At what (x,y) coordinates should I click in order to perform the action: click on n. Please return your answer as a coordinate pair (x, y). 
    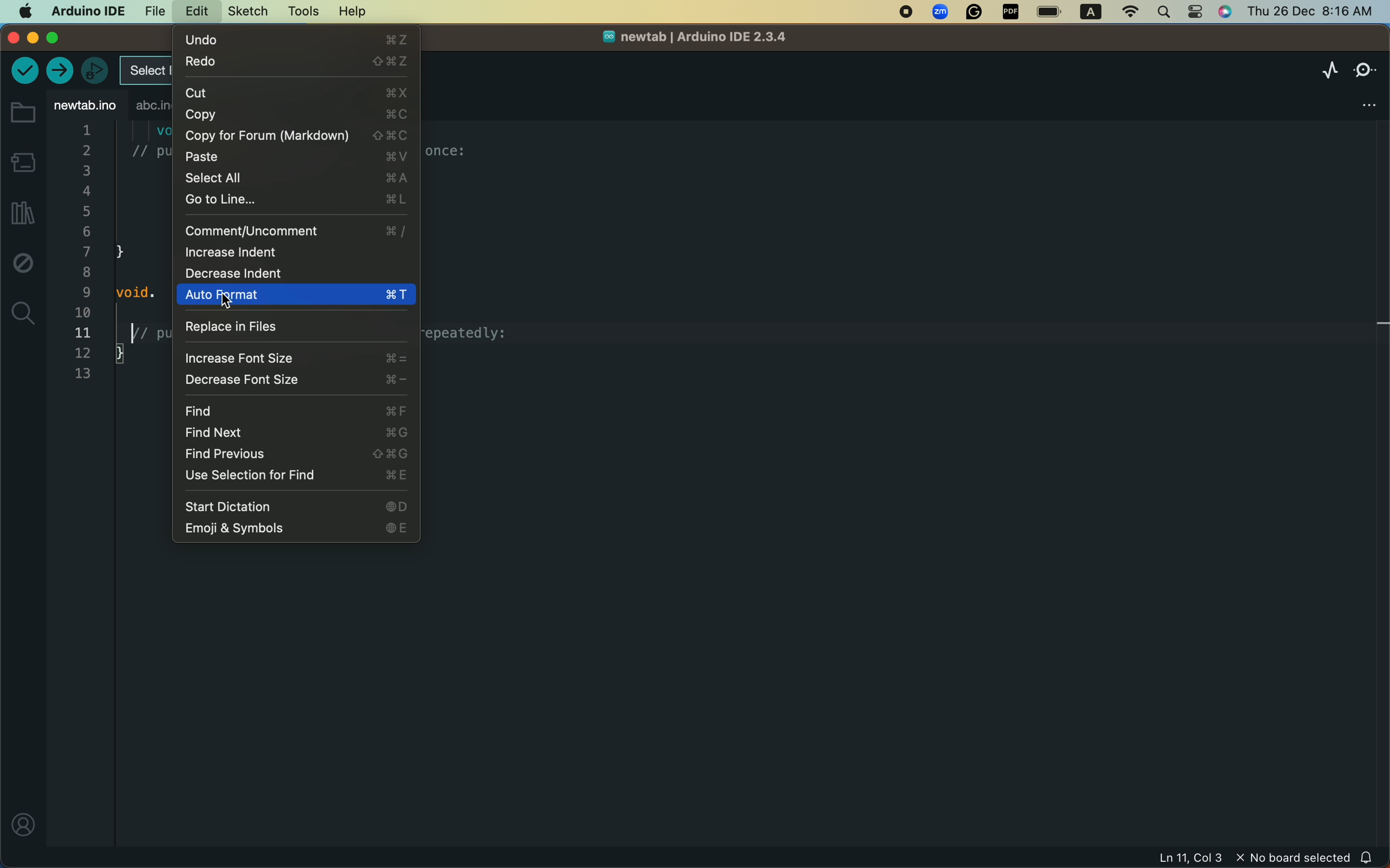
    Looking at the image, I should click on (906, 13).